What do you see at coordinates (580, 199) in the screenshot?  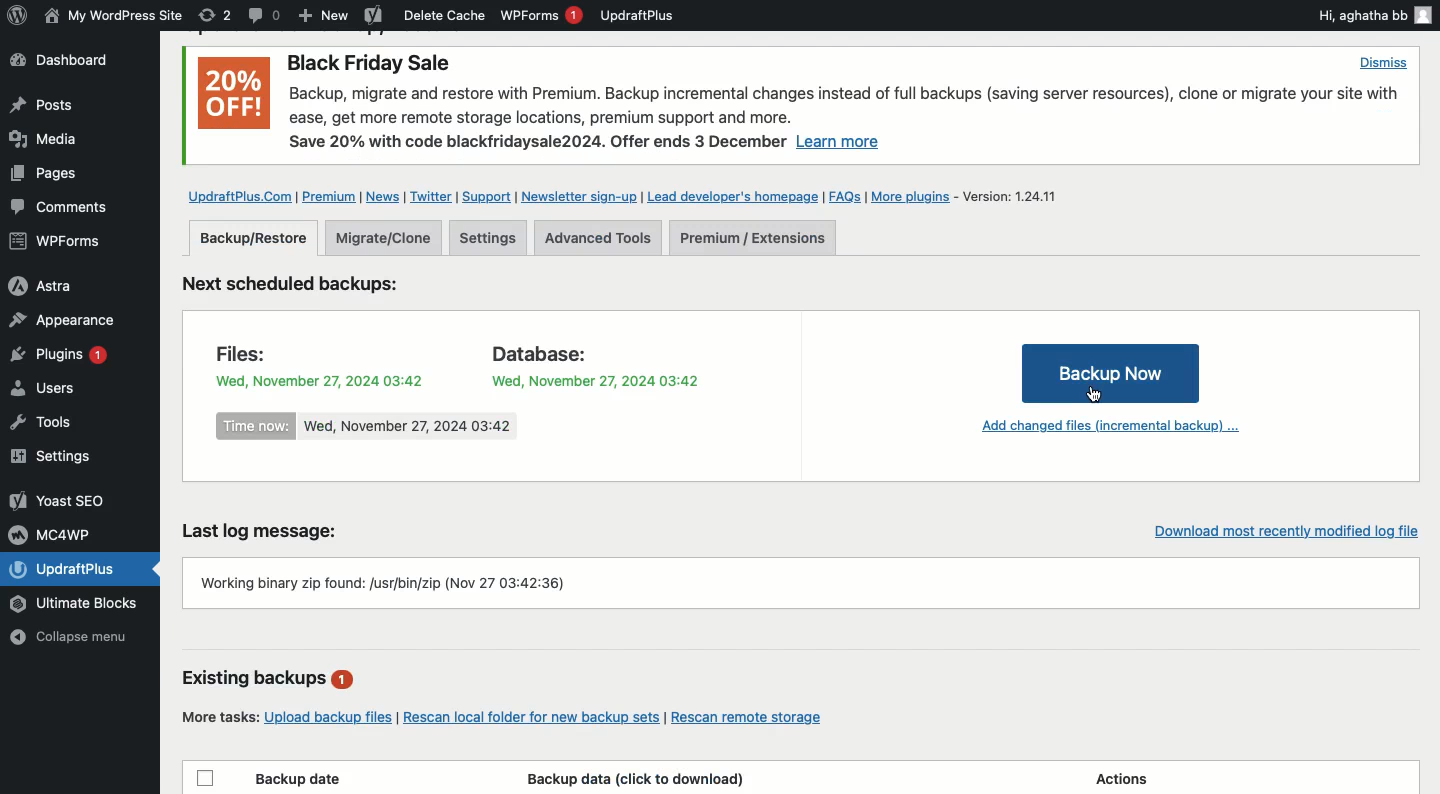 I see `Newsletter sign up` at bounding box center [580, 199].